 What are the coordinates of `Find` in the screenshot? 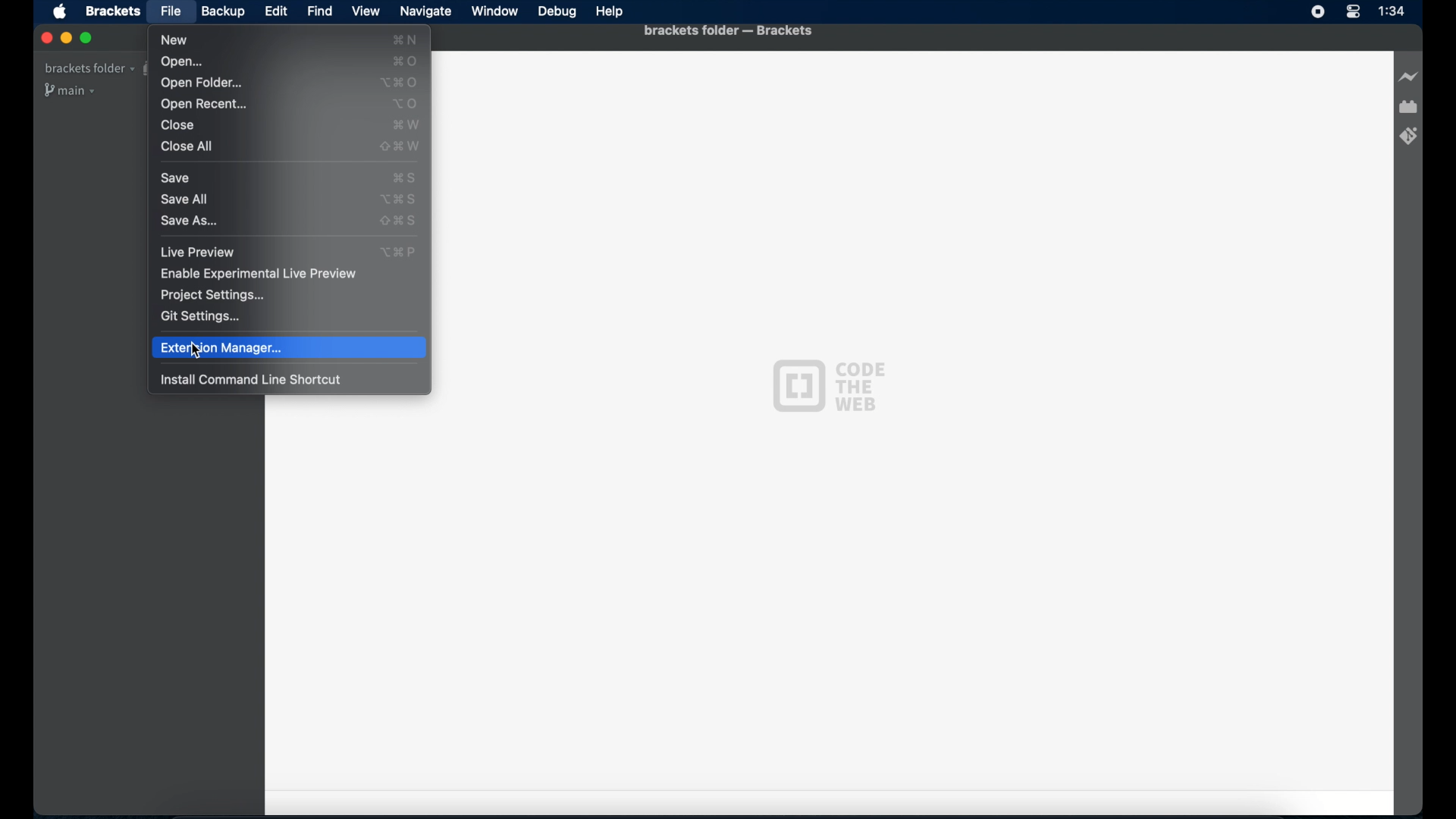 It's located at (320, 11).